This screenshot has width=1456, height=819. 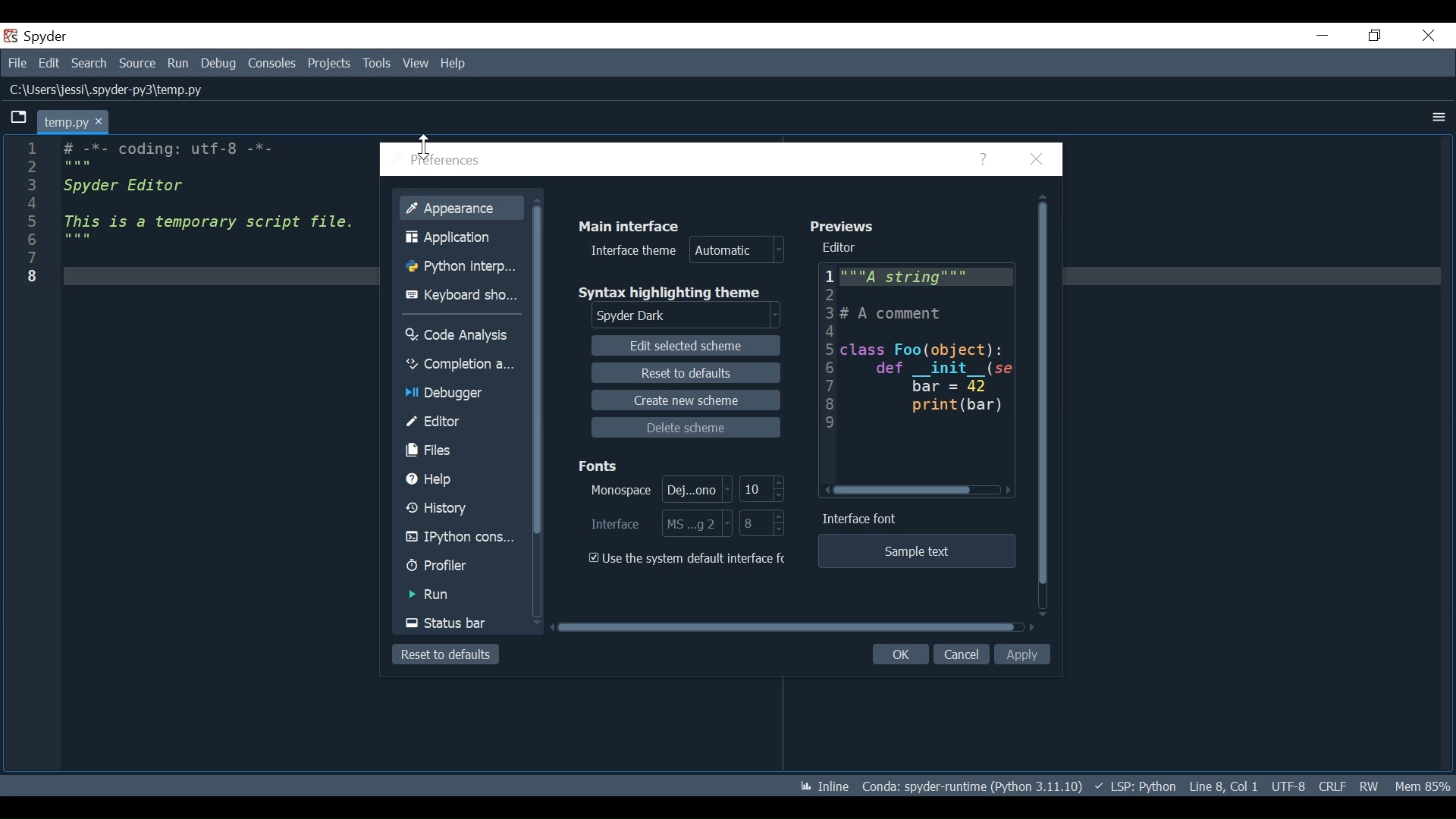 What do you see at coordinates (452, 64) in the screenshot?
I see `Help` at bounding box center [452, 64].